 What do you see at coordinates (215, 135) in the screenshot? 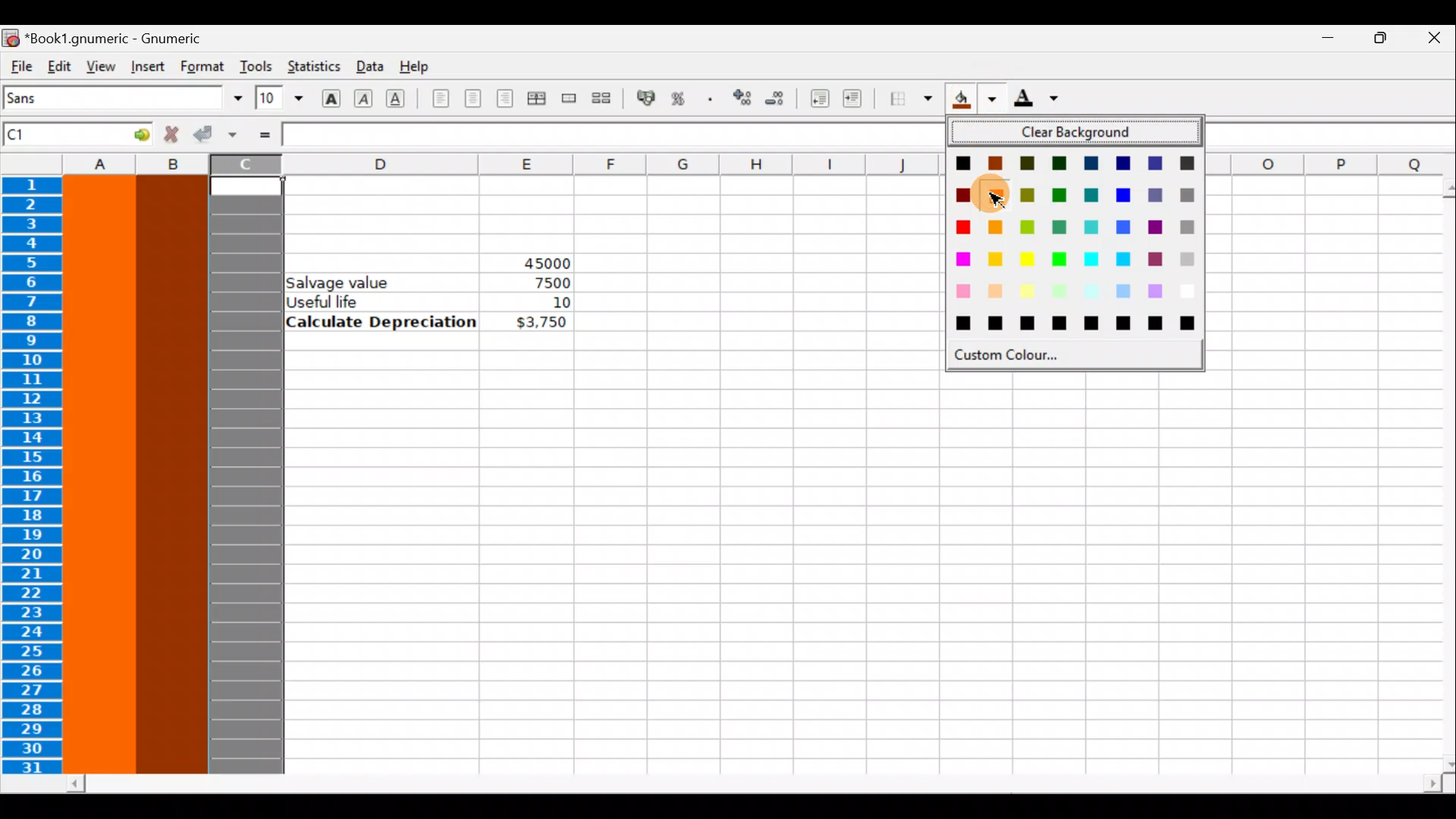
I see `Accept change` at bounding box center [215, 135].